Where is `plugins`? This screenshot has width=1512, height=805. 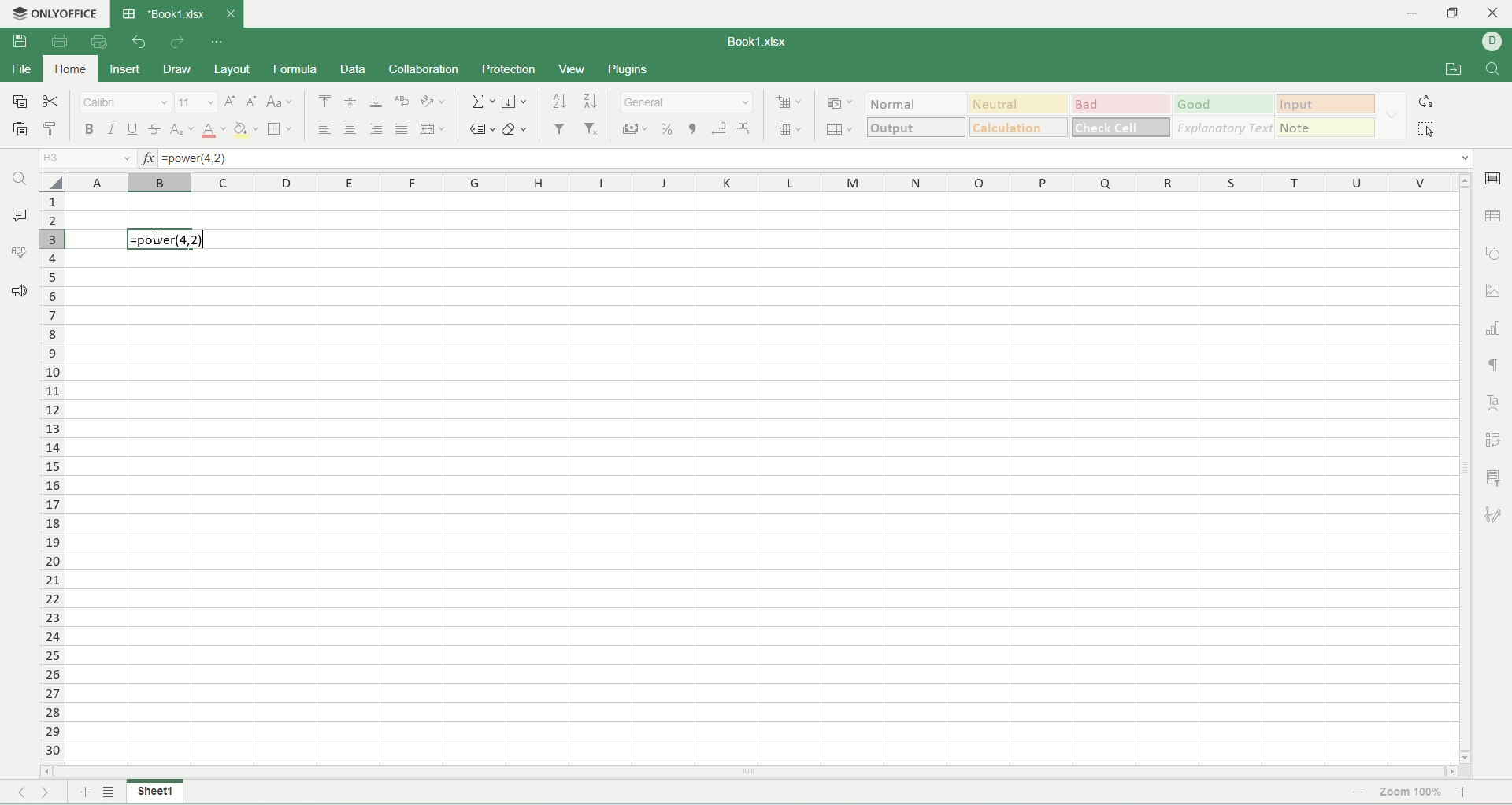 plugins is located at coordinates (628, 70).